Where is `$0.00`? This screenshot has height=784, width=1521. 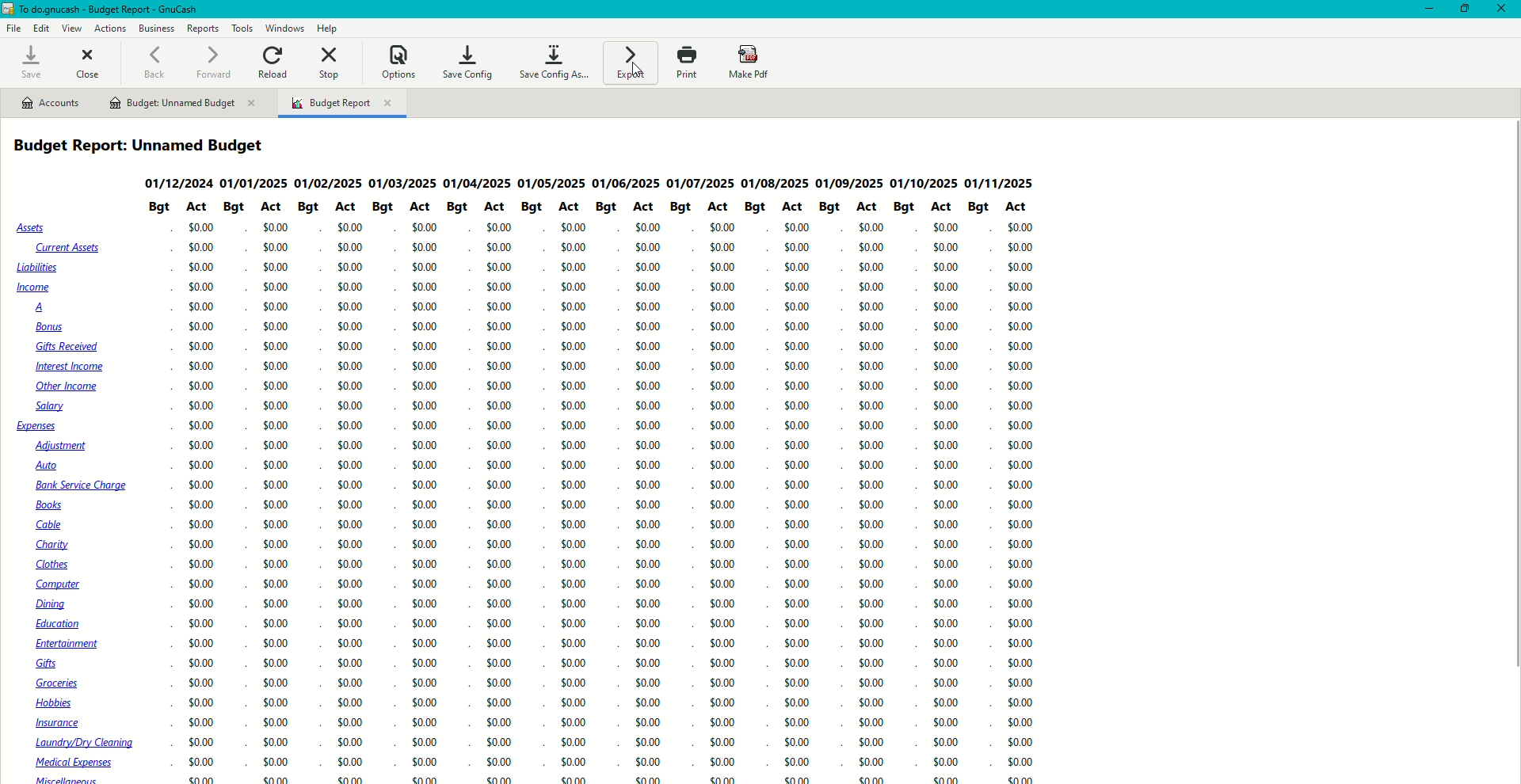 $0.00 is located at coordinates (349, 465).